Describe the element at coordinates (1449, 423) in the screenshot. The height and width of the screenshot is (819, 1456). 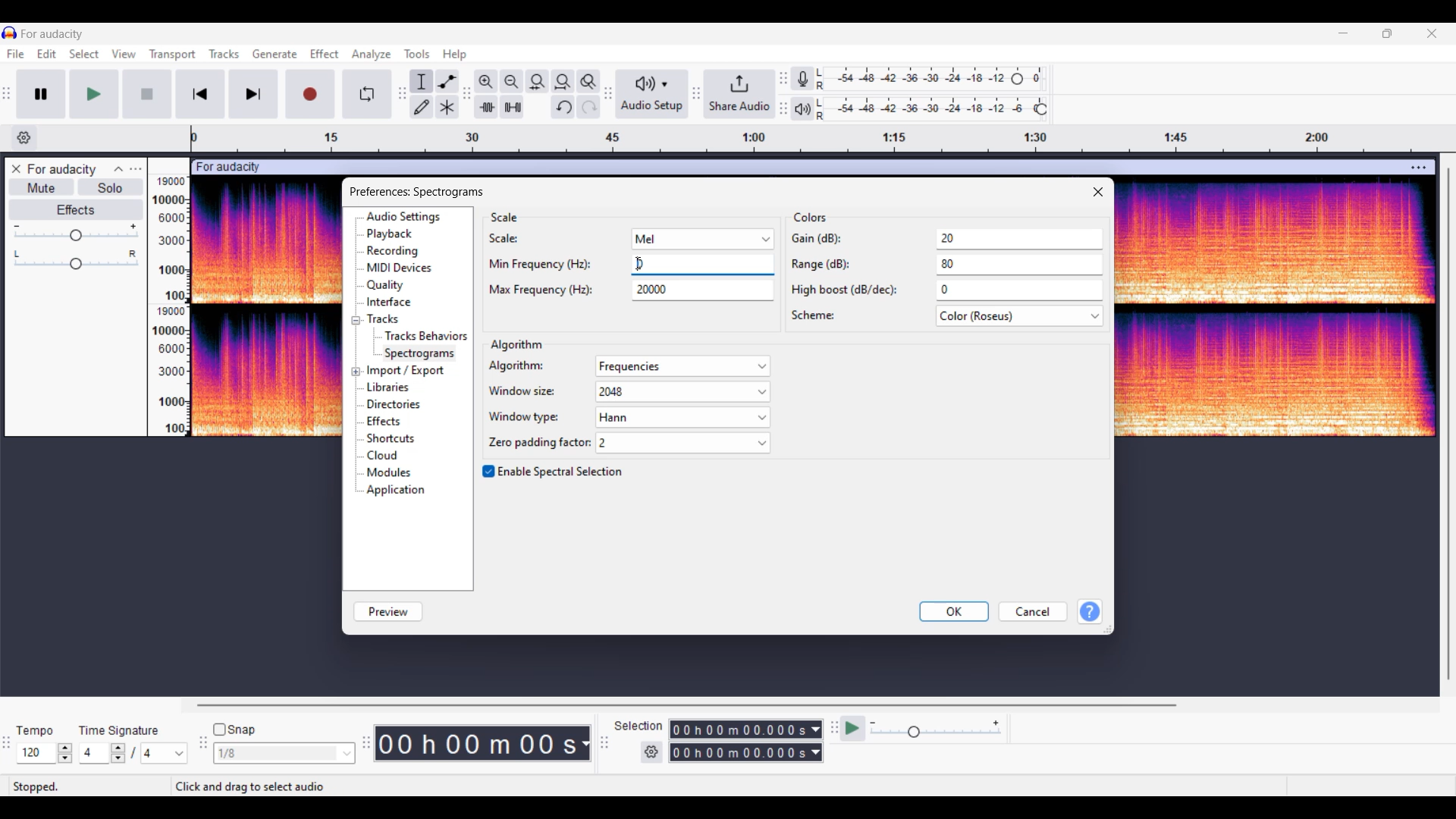
I see `Vertical slide bar` at that location.